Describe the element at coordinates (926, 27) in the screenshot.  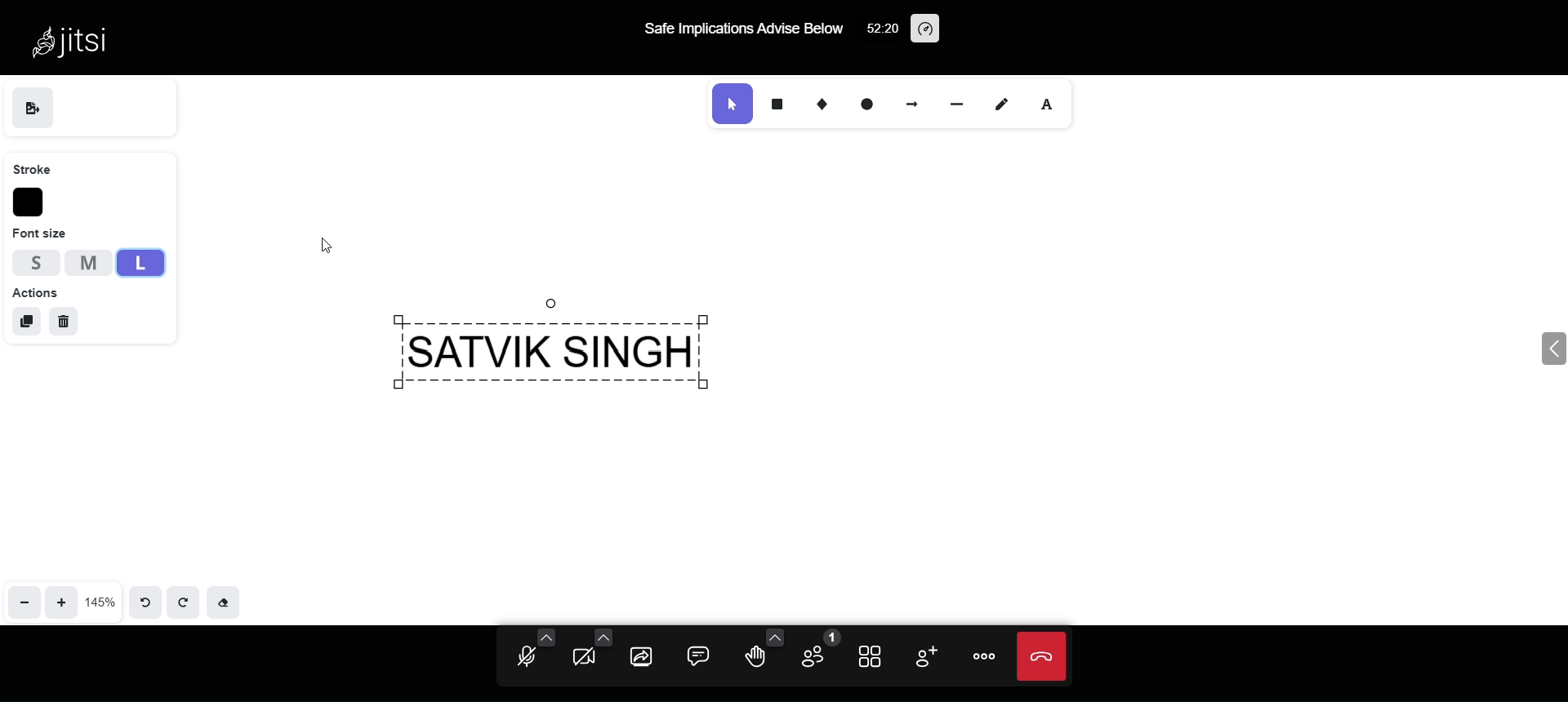
I see `performance setting` at that location.